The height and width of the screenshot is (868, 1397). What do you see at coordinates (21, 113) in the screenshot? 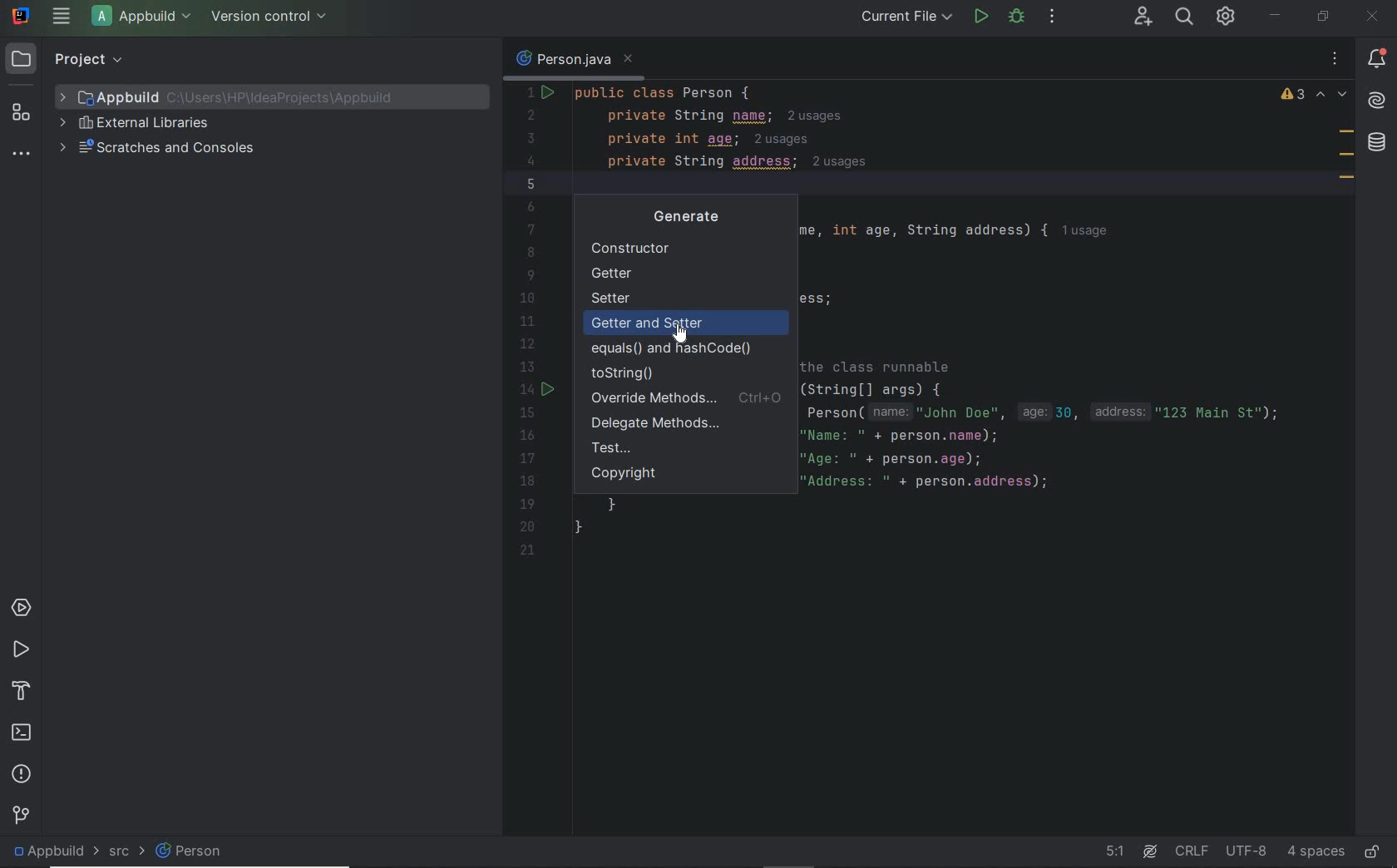
I see `structure` at bounding box center [21, 113].